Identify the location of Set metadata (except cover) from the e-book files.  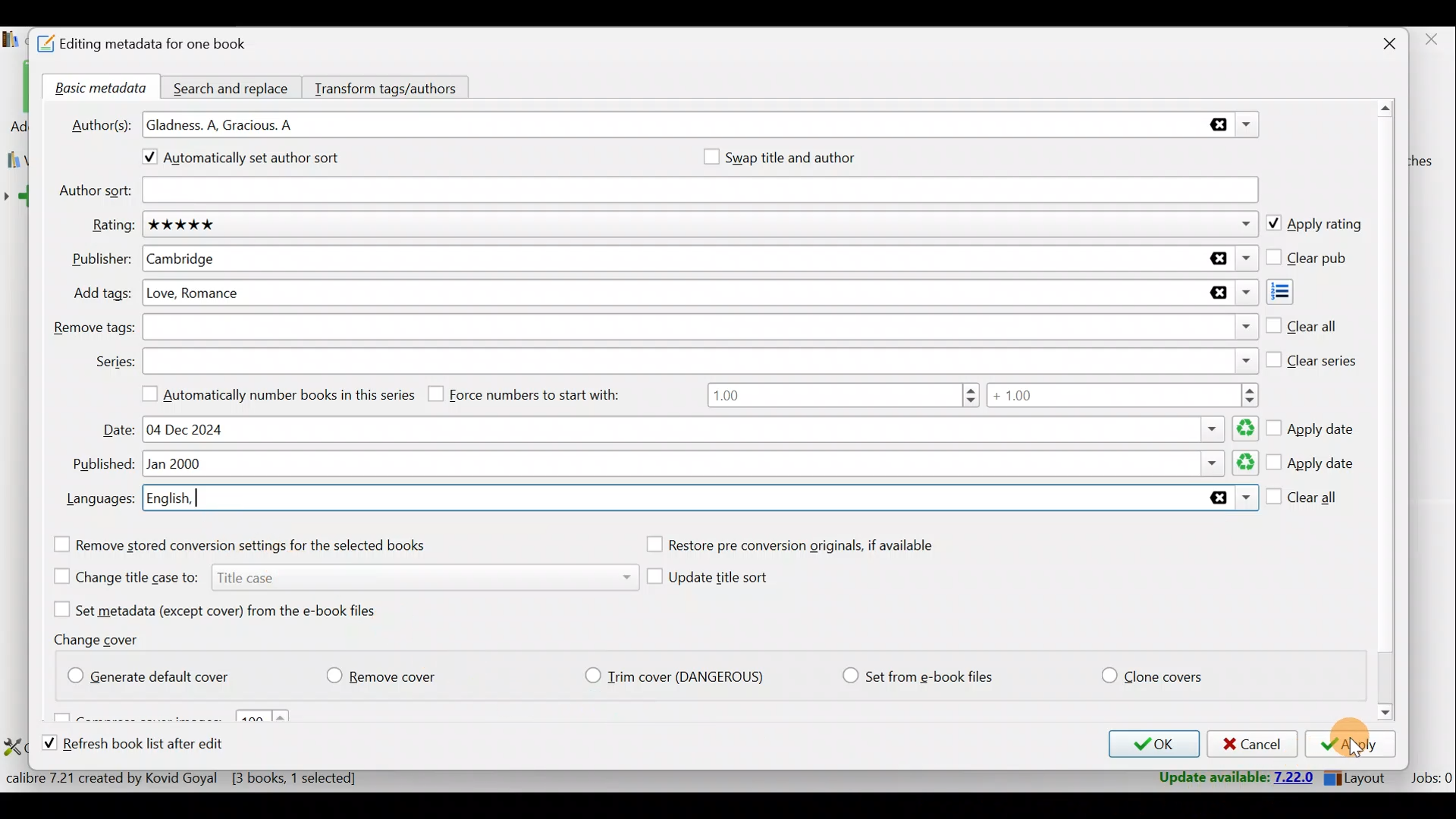
(234, 609).